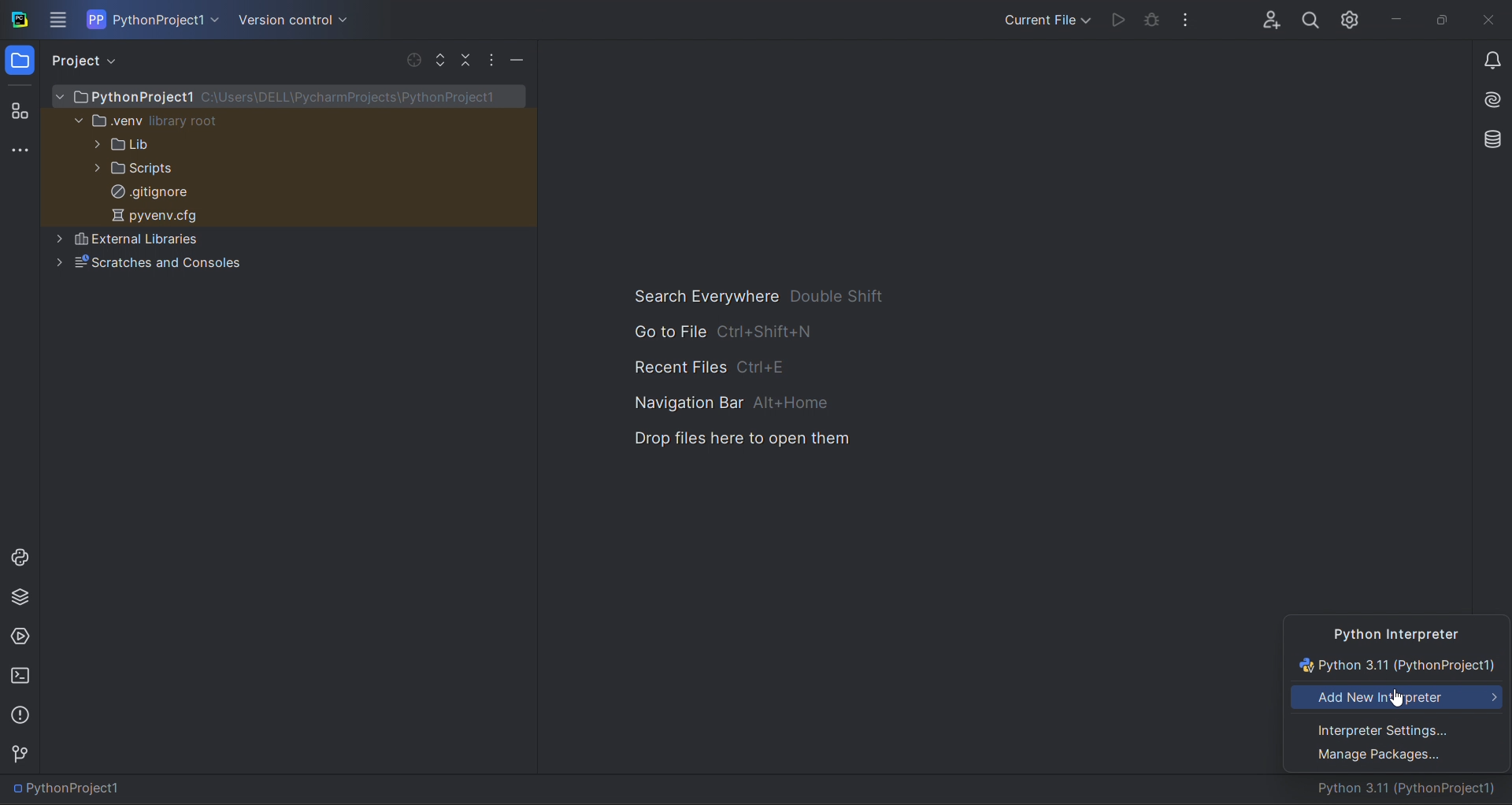 Image resolution: width=1512 pixels, height=805 pixels. I want to click on ai assistant, so click(1487, 102).